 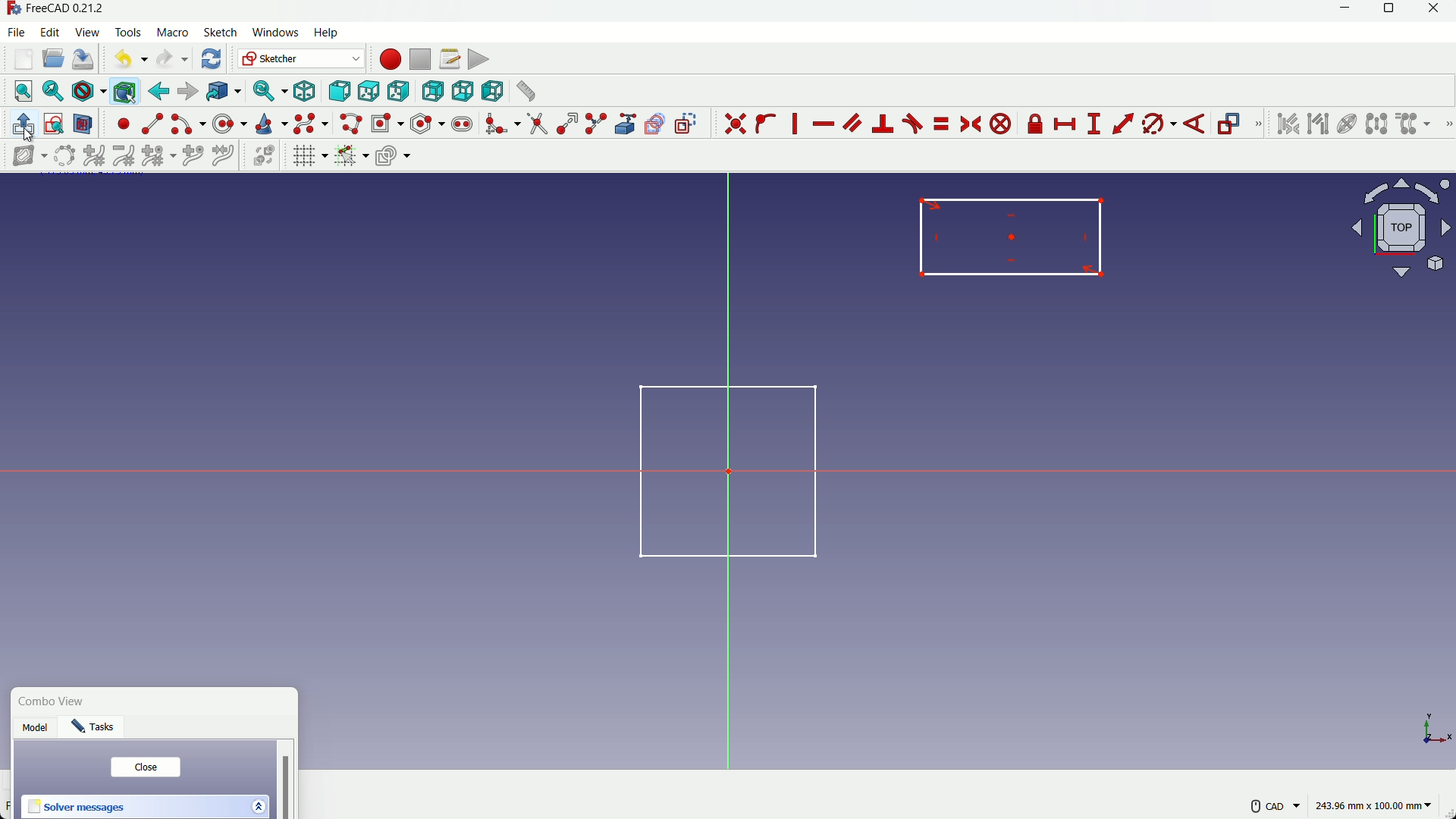 What do you see at coordinates (338, 93) in the screenshot?
I see `front view` at bounding box center [338, 93].